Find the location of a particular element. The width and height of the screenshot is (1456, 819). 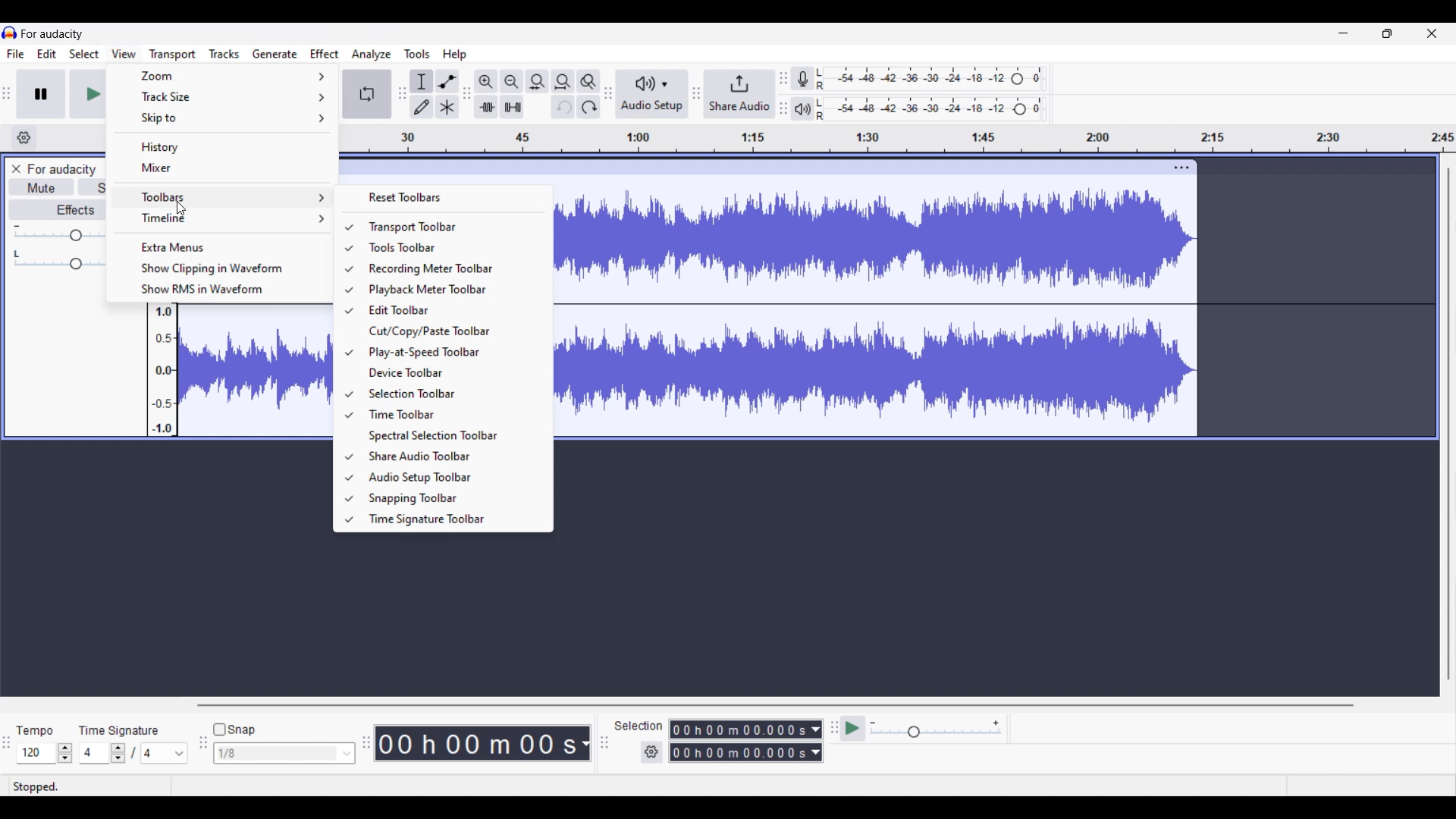

Pause is located at coordinates (40, 93).